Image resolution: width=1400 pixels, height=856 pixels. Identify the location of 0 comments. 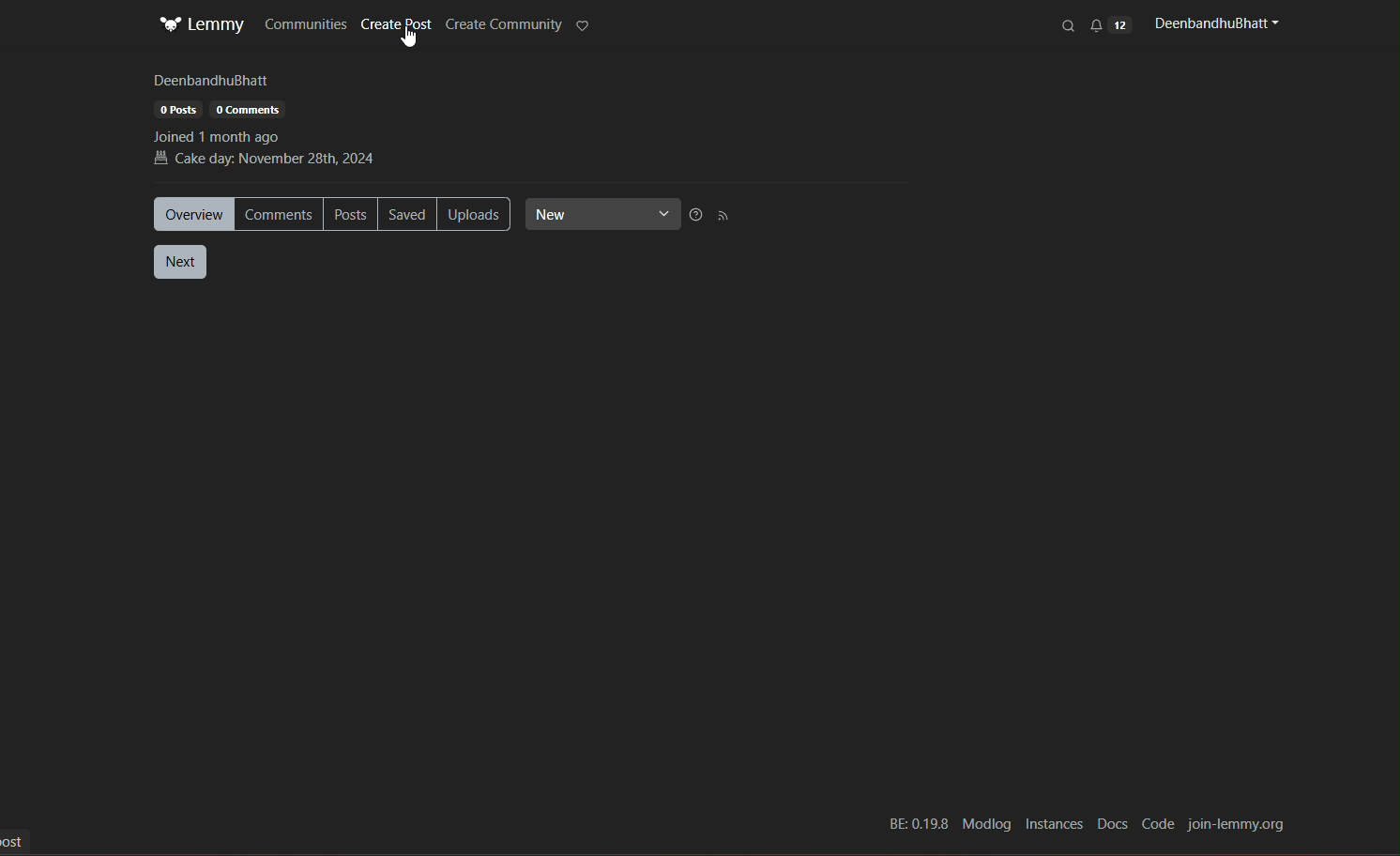
(248, 110).